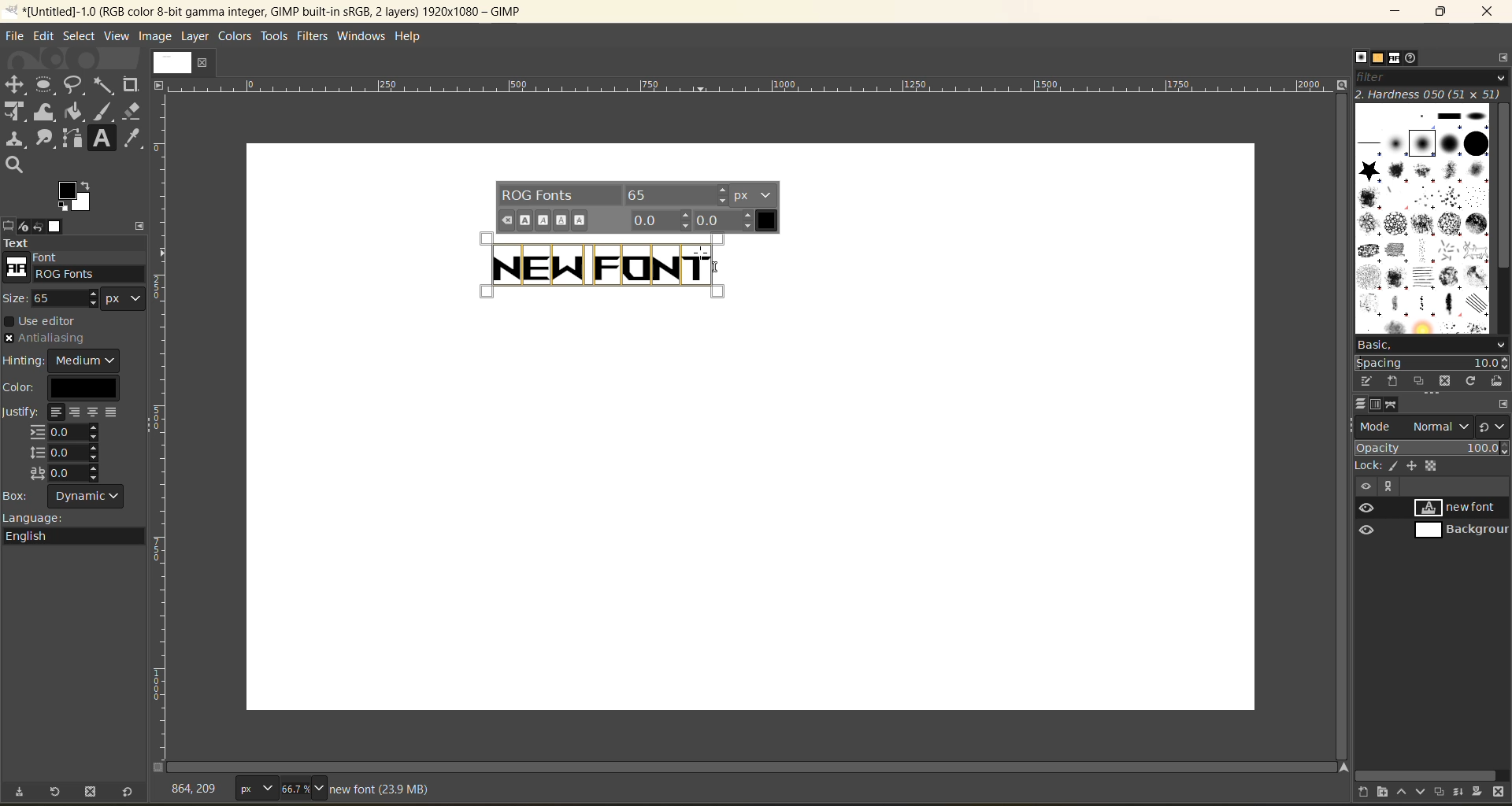 Image resolution: width=1512 pixels, height=806 pixels. Describe the element at coordinates (232, 36) in the screenshot. I see `colors` at that location.